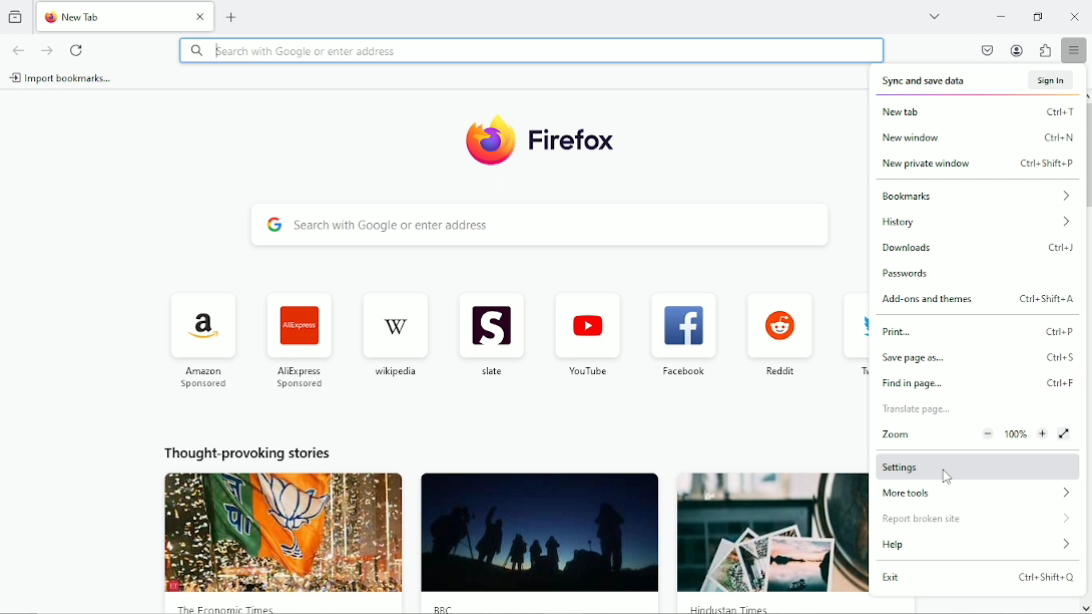 This screenshot has width=1092, height=614. I want to click on wikipedia, so click(394, 334).